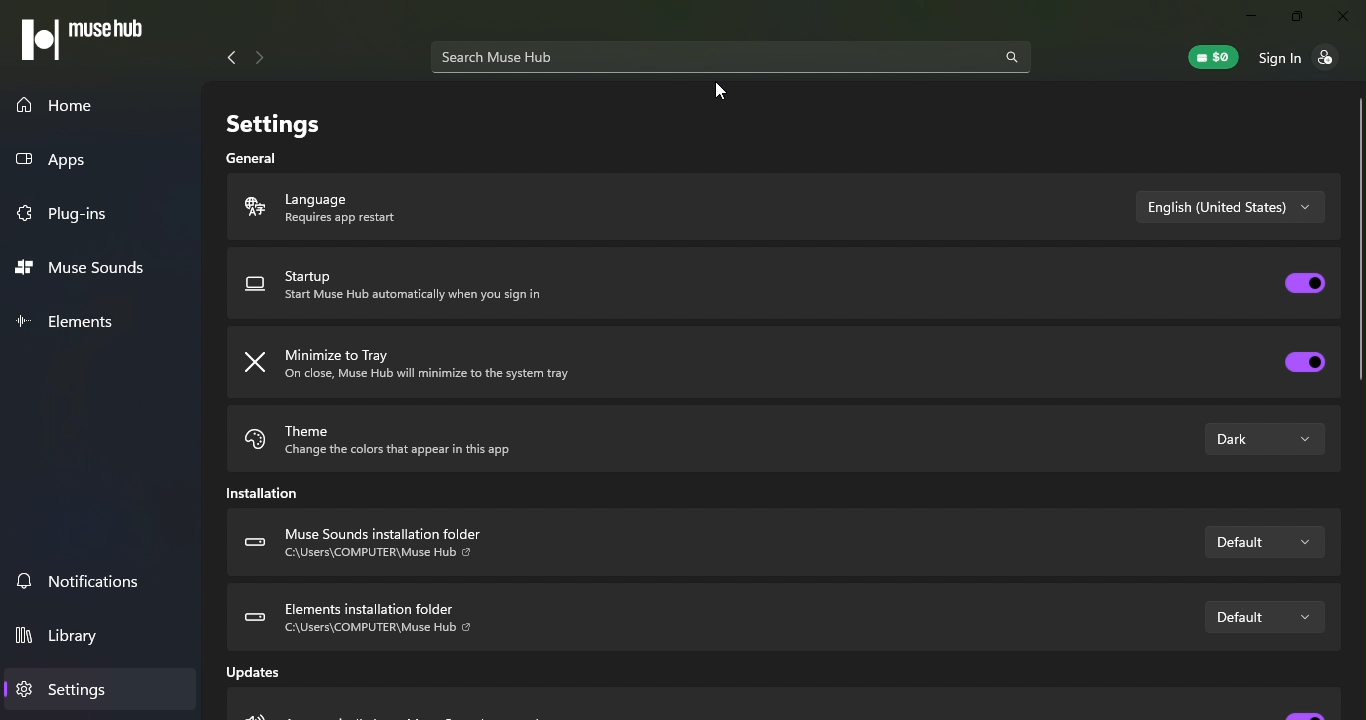 The image size is (1366, 720). Describe the element at coordinates (256, 287) in the screenshot. I see `startup logo` at that location.